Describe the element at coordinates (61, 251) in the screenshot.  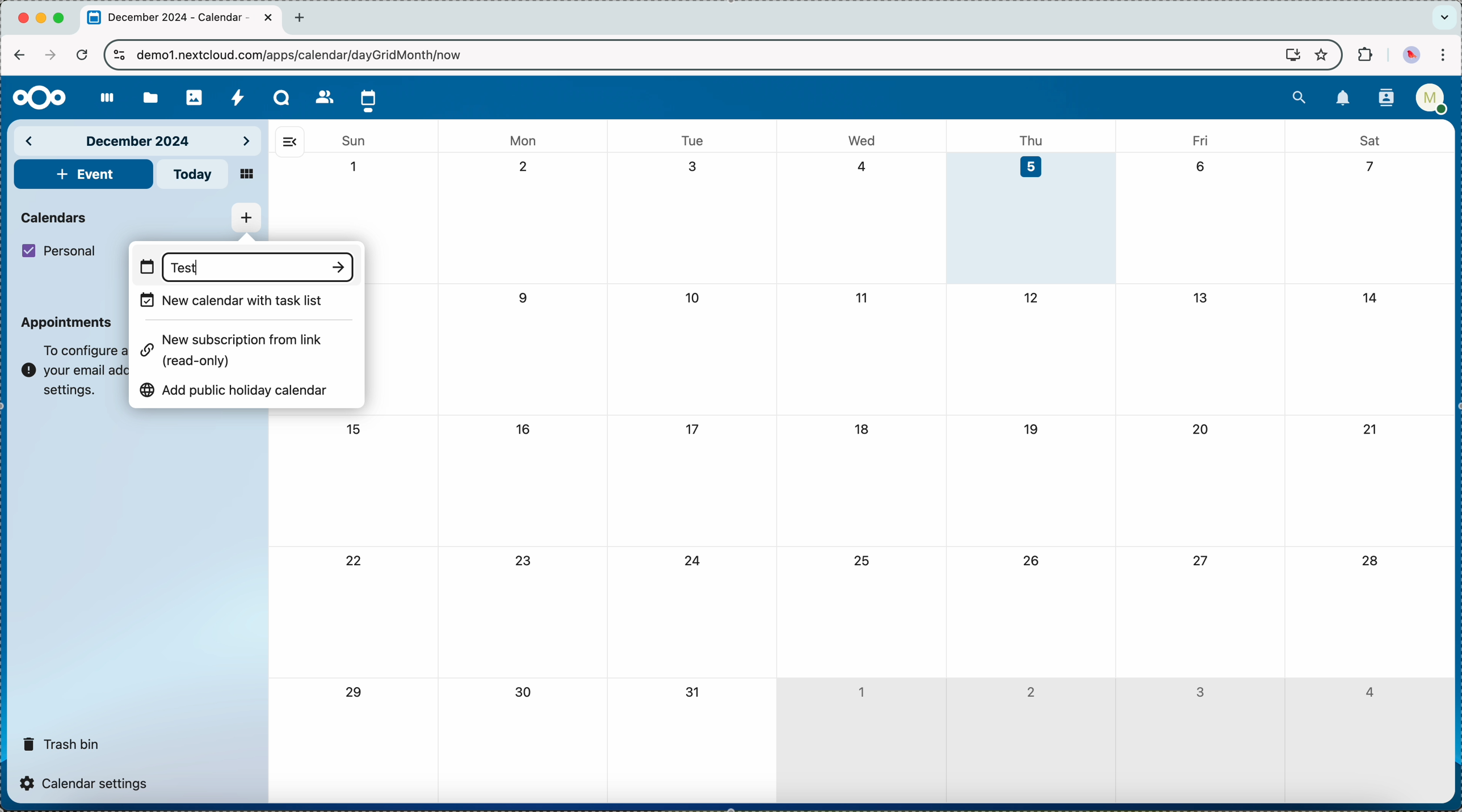
I see `personal` at that location.